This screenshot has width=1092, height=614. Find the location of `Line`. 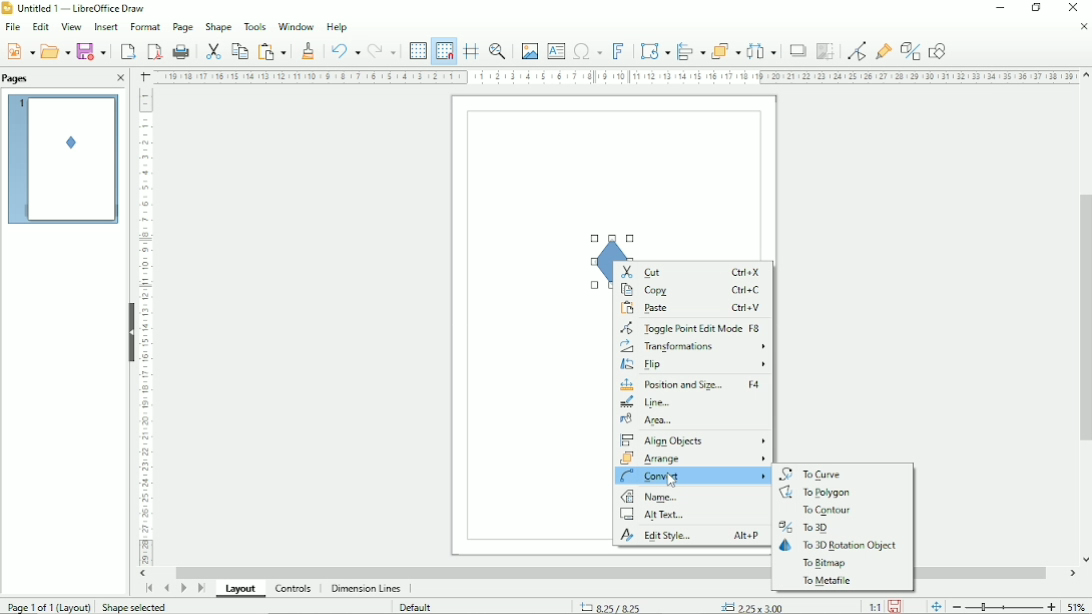

Line is located at coordinates (649, 404).